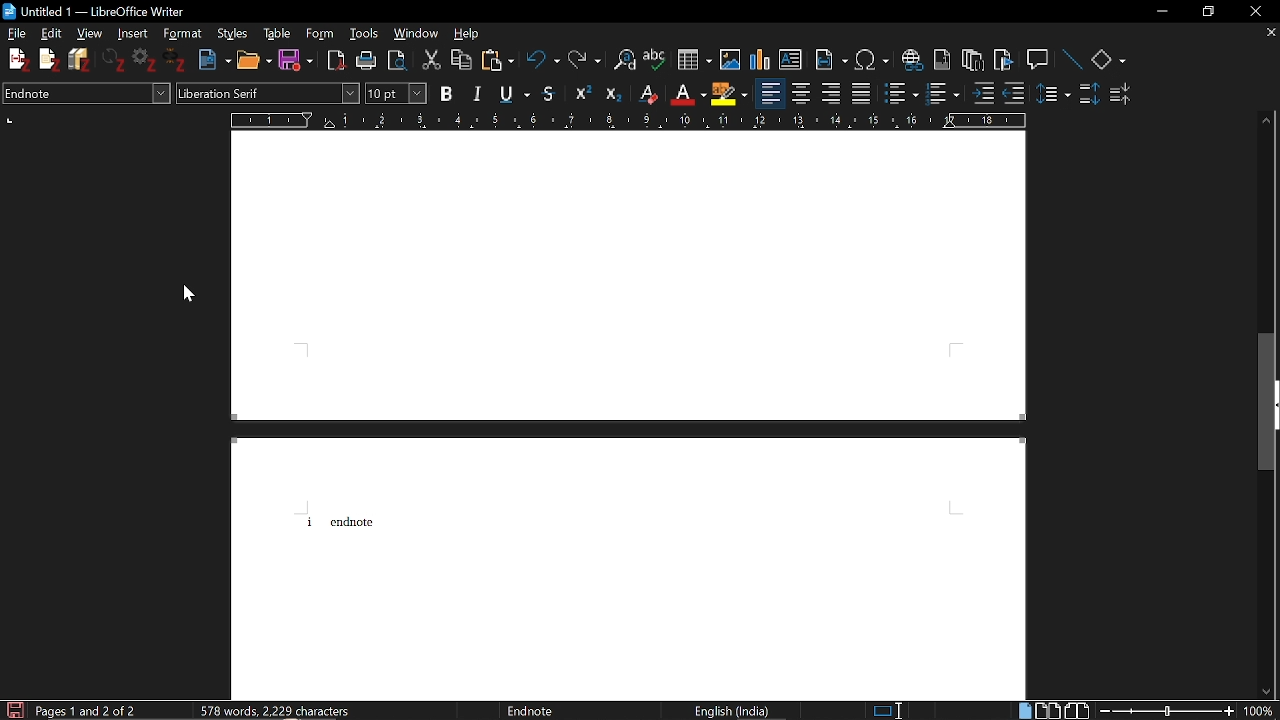  Describe the element at coordinates (336, 61) in the screenshot. I see `Save as PDF` at that location.